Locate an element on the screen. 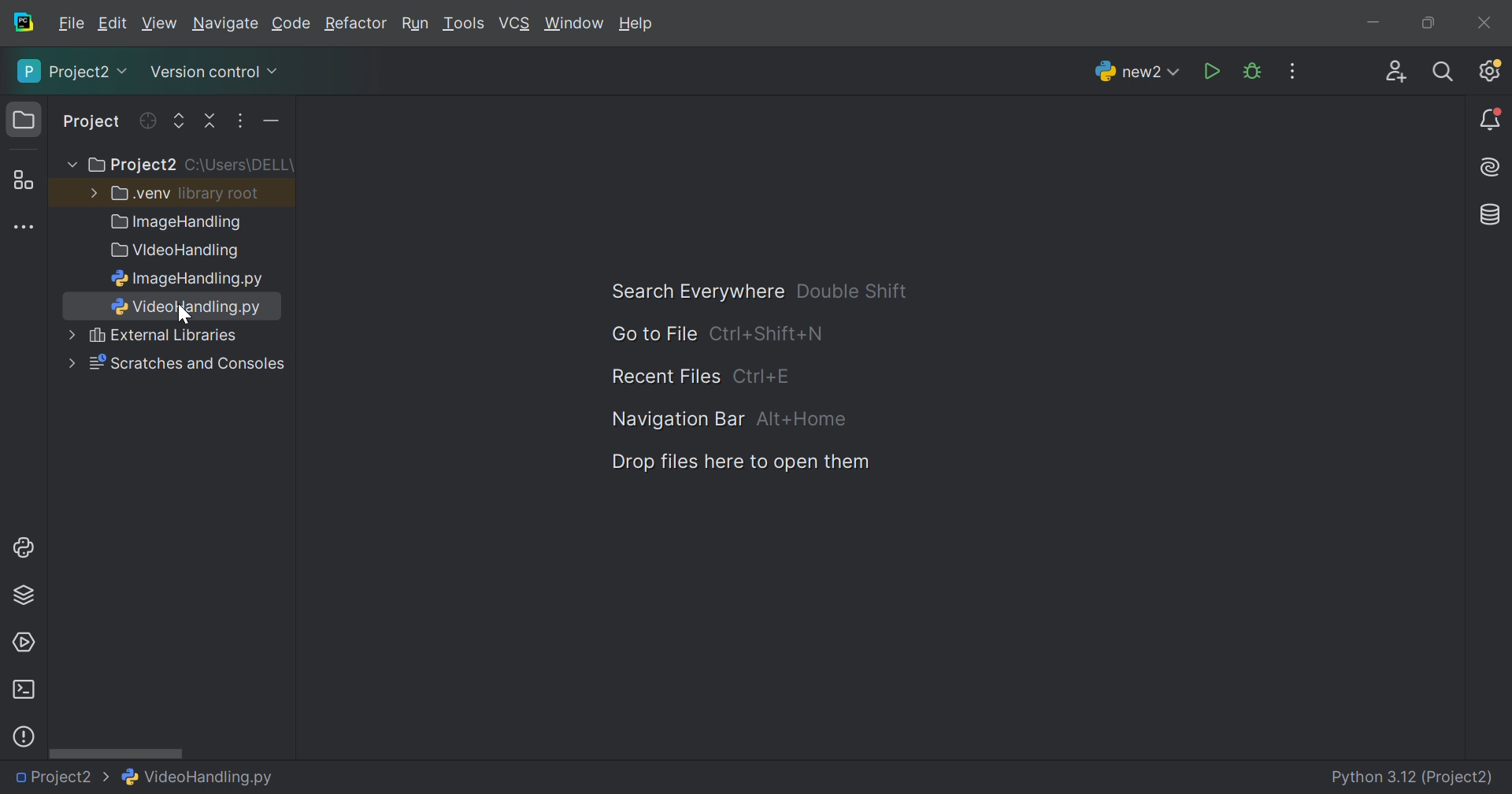 The width and height of the screenshot is (1512, 794). Dop files here to open them is located at coordinates (735, 462).